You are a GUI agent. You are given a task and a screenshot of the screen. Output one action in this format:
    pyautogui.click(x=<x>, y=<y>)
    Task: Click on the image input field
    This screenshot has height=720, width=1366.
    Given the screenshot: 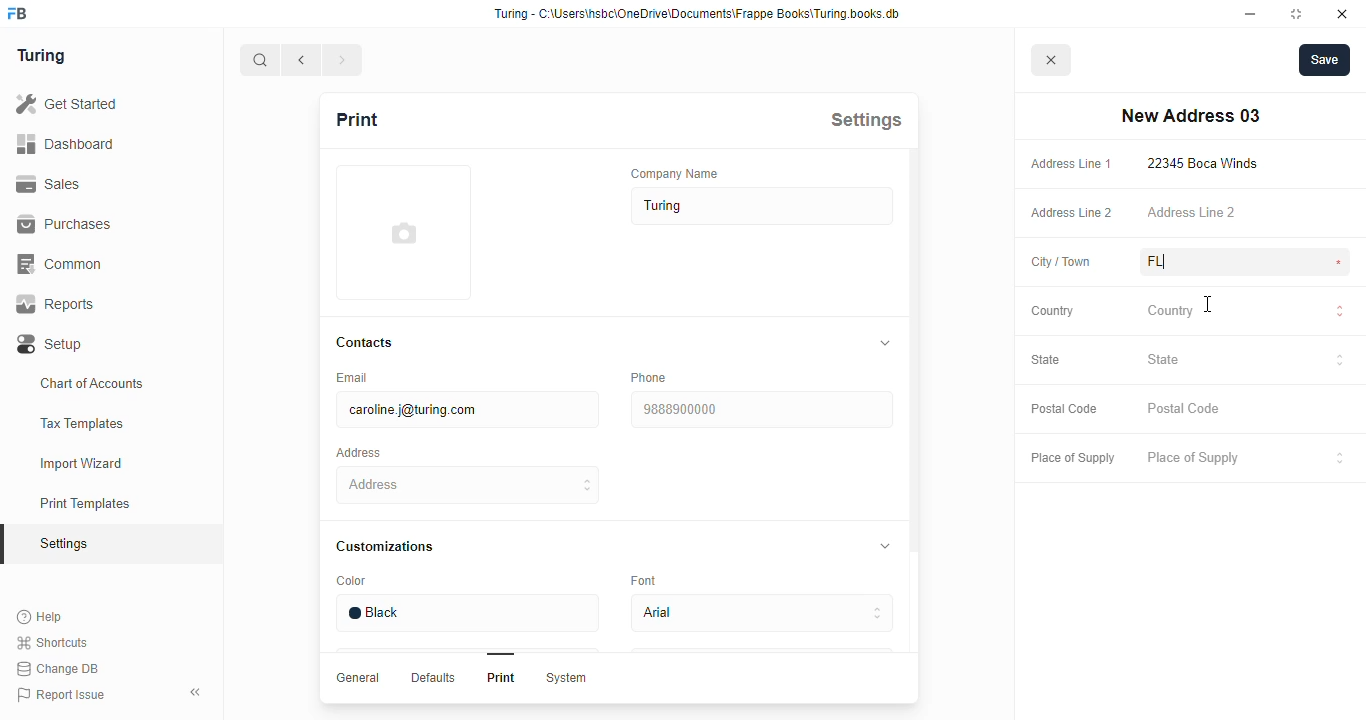 What is the action you would take?
    pyautogui.click(x=401, y=232)
    